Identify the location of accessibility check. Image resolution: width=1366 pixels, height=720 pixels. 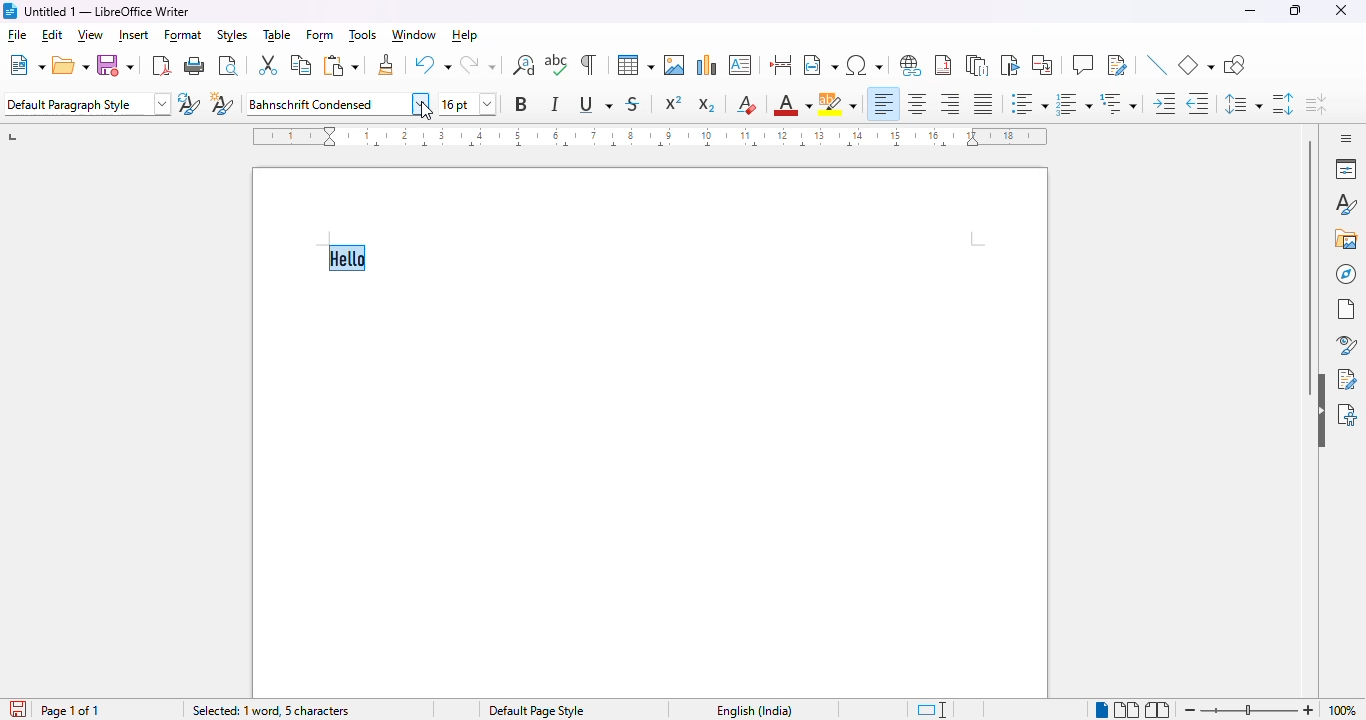
(1347, 413).